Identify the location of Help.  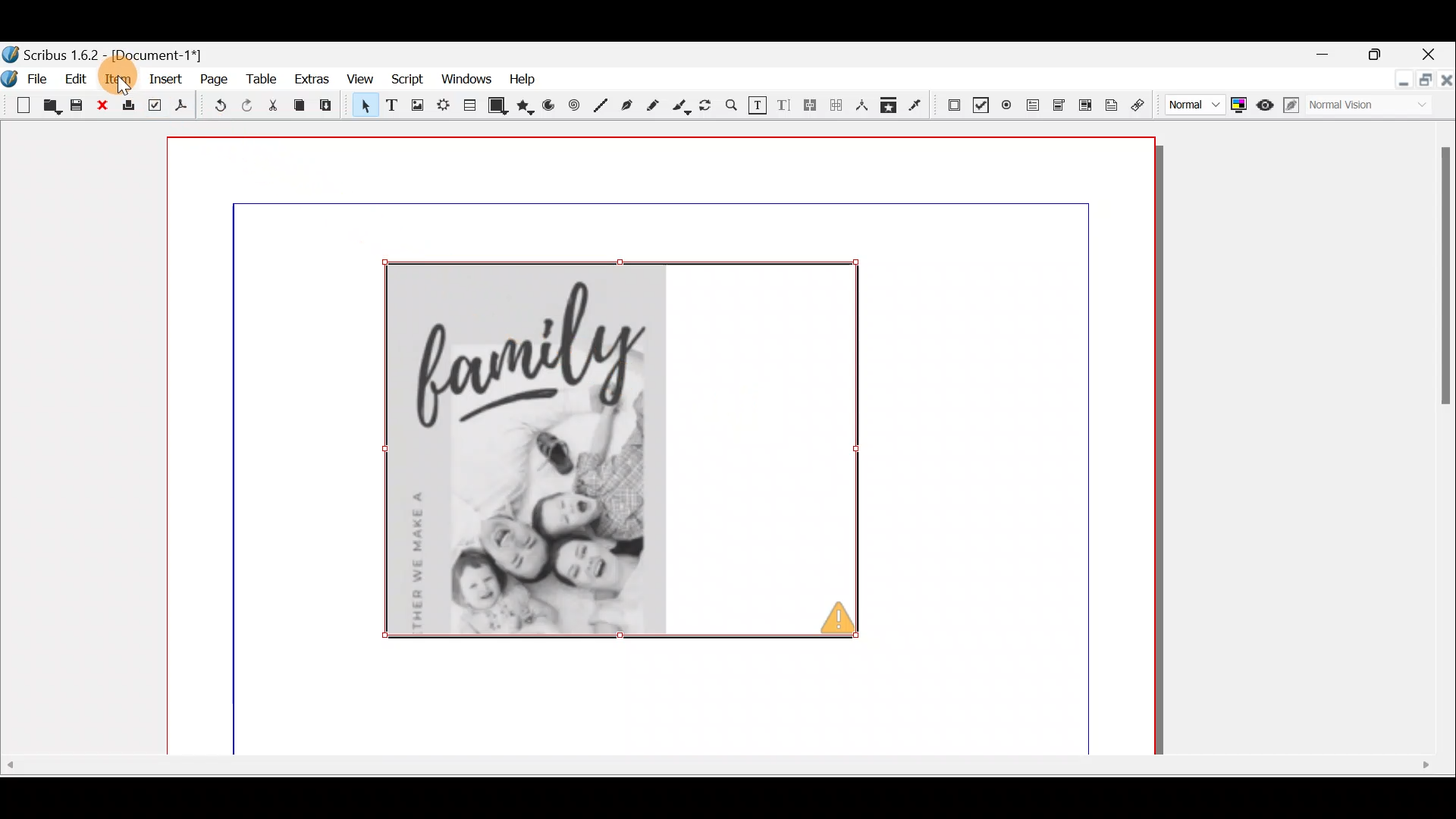
(519, 79).